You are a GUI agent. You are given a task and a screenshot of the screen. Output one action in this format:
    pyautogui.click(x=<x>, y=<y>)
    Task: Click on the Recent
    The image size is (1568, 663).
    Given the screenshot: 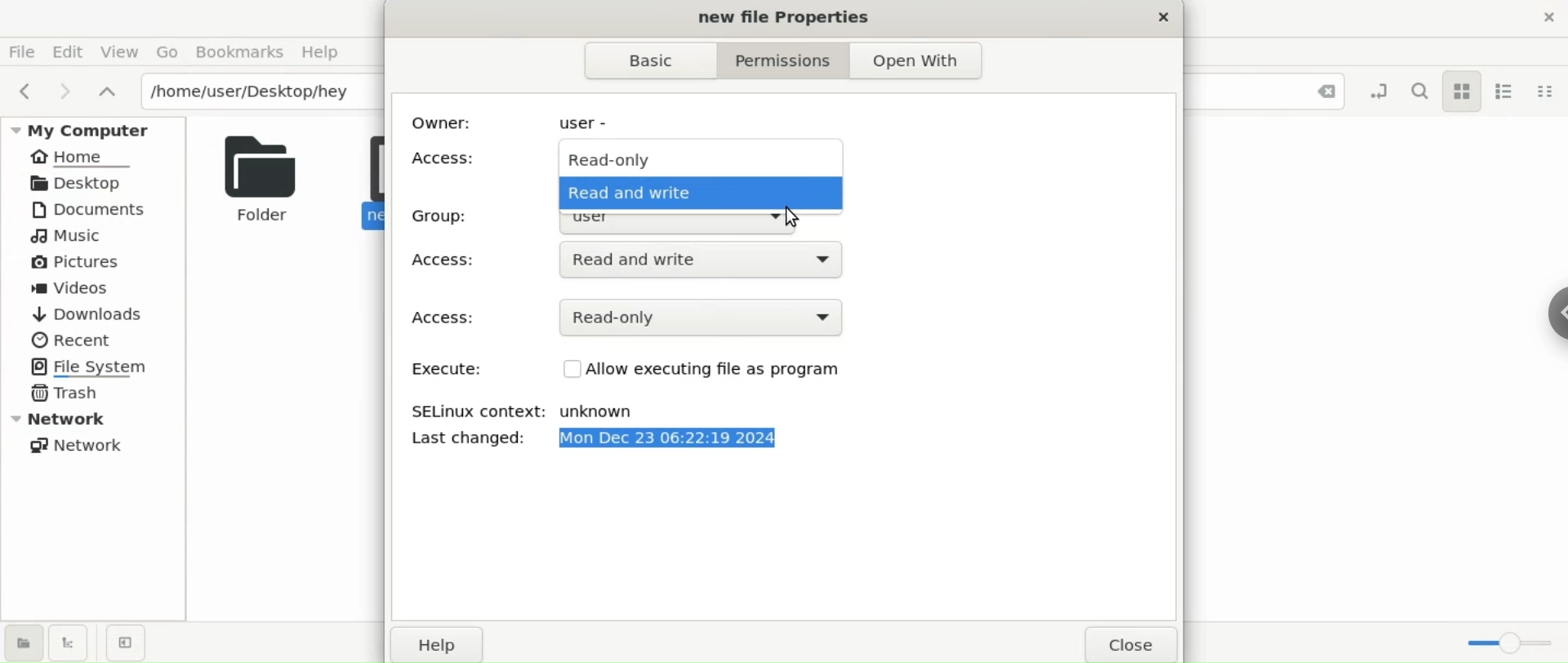 What is the action you would take?
    pyautogui.click(x=71, y=338)
    